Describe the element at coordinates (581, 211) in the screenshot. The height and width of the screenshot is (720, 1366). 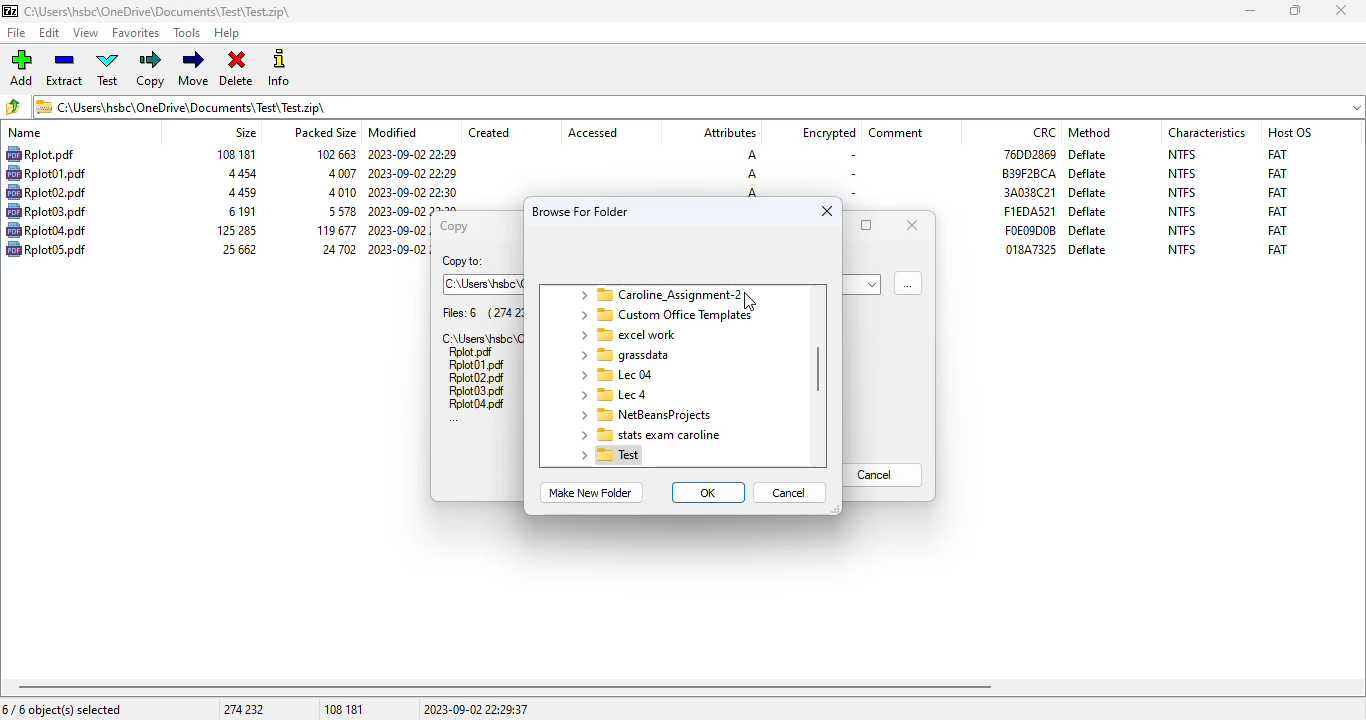
I see `browse for folder` at that location.